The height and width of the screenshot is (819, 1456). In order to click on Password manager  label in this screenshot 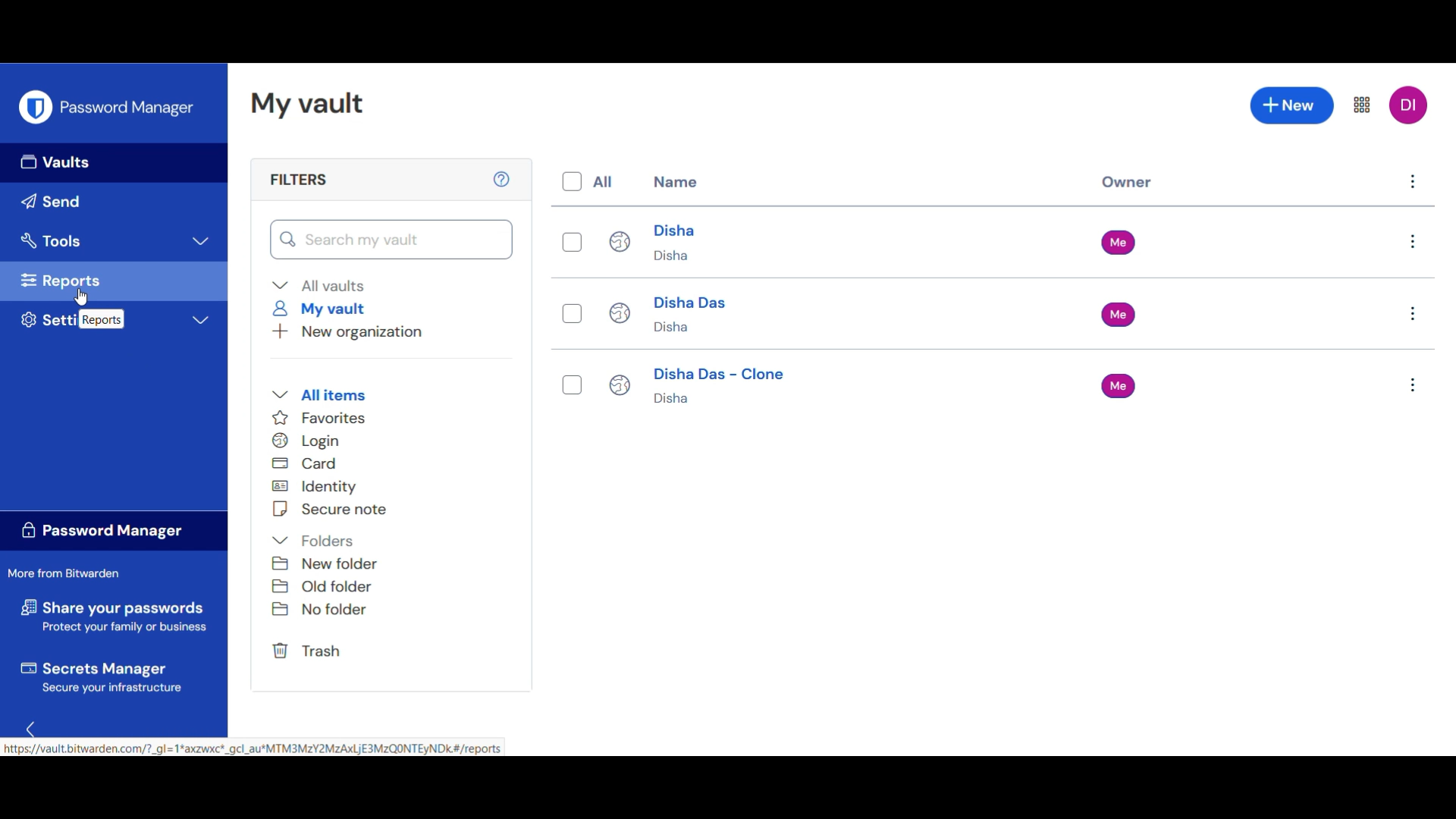, I will do `click(115, 530)`.